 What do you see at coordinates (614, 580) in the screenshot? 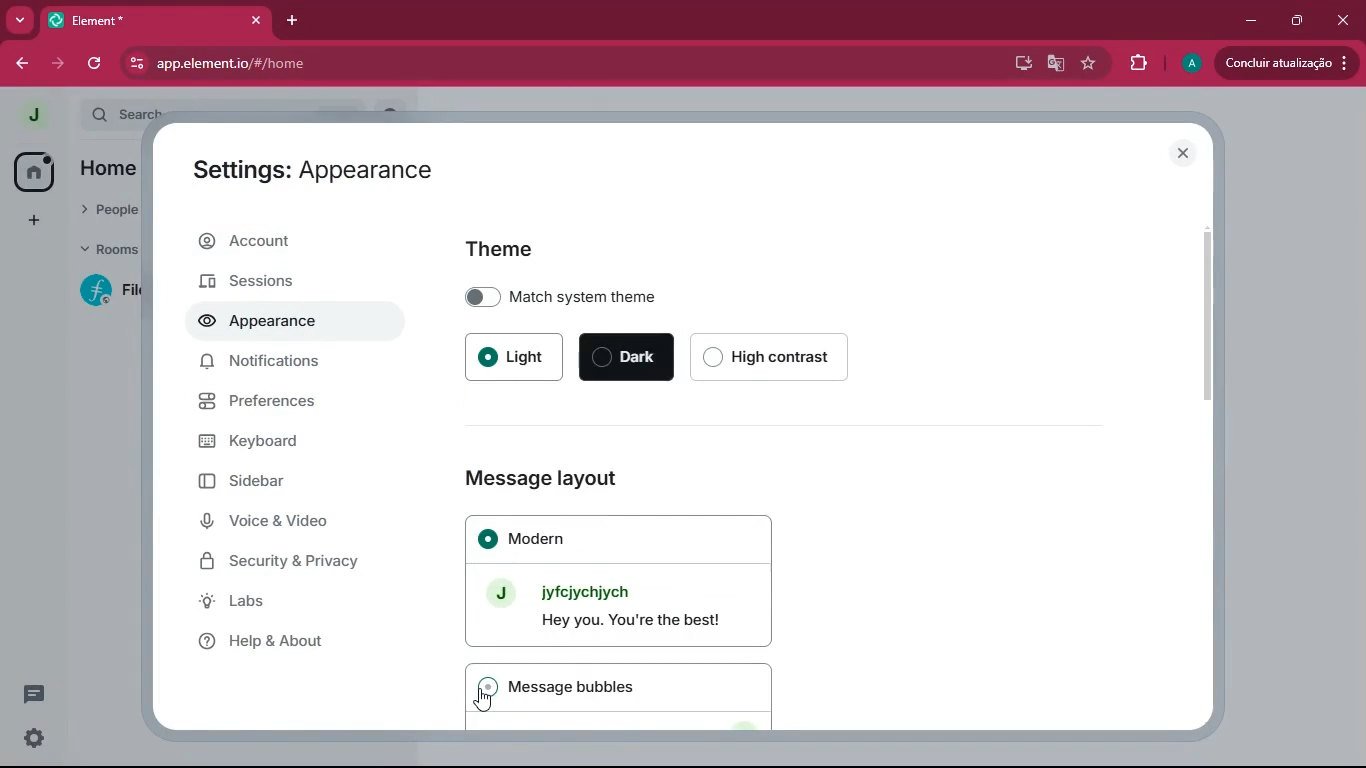
I see `message layout preview` at bounding box center [614, 580].